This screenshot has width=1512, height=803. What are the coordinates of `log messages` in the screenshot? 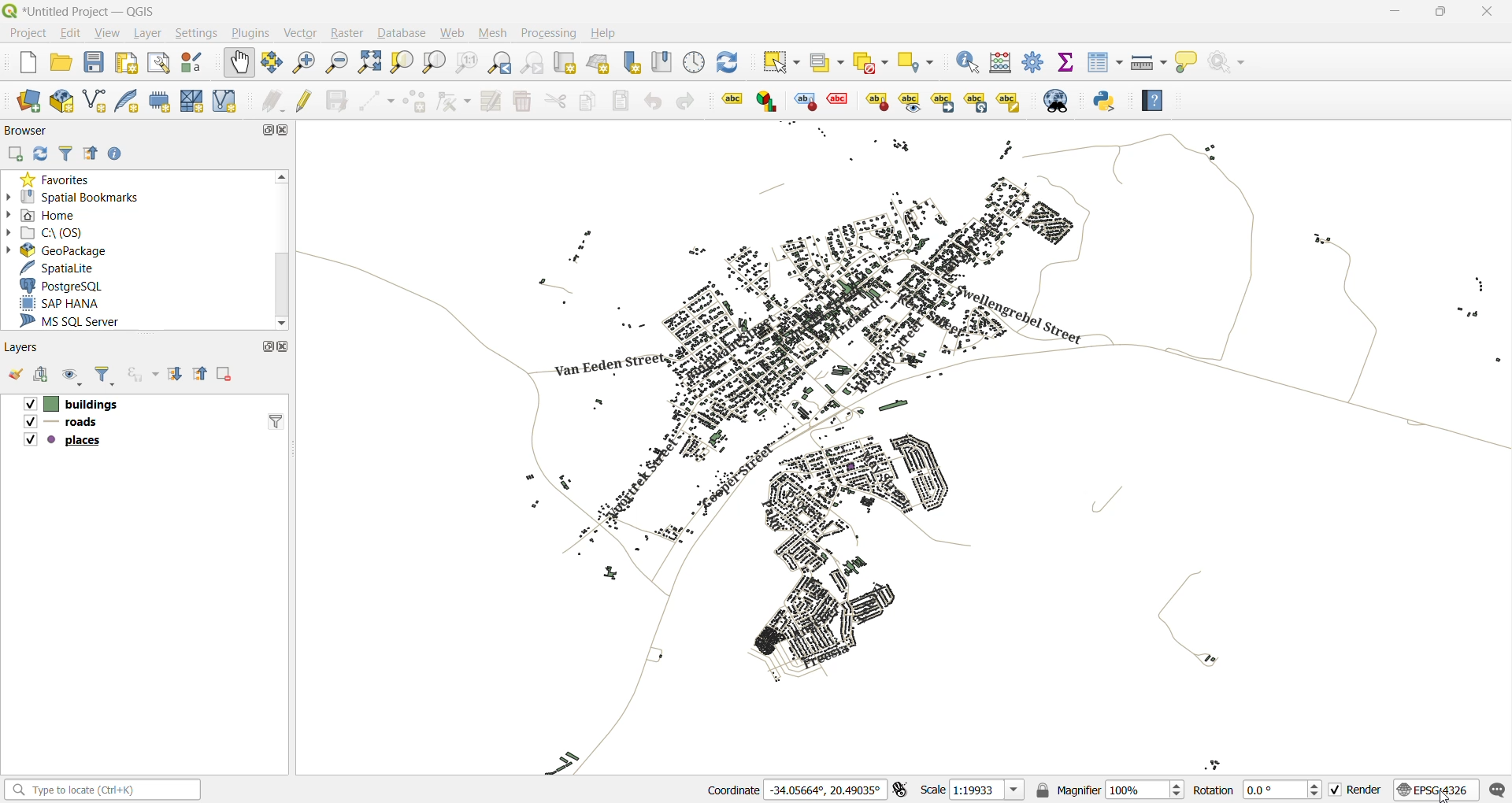 It's located at (1495, 789).